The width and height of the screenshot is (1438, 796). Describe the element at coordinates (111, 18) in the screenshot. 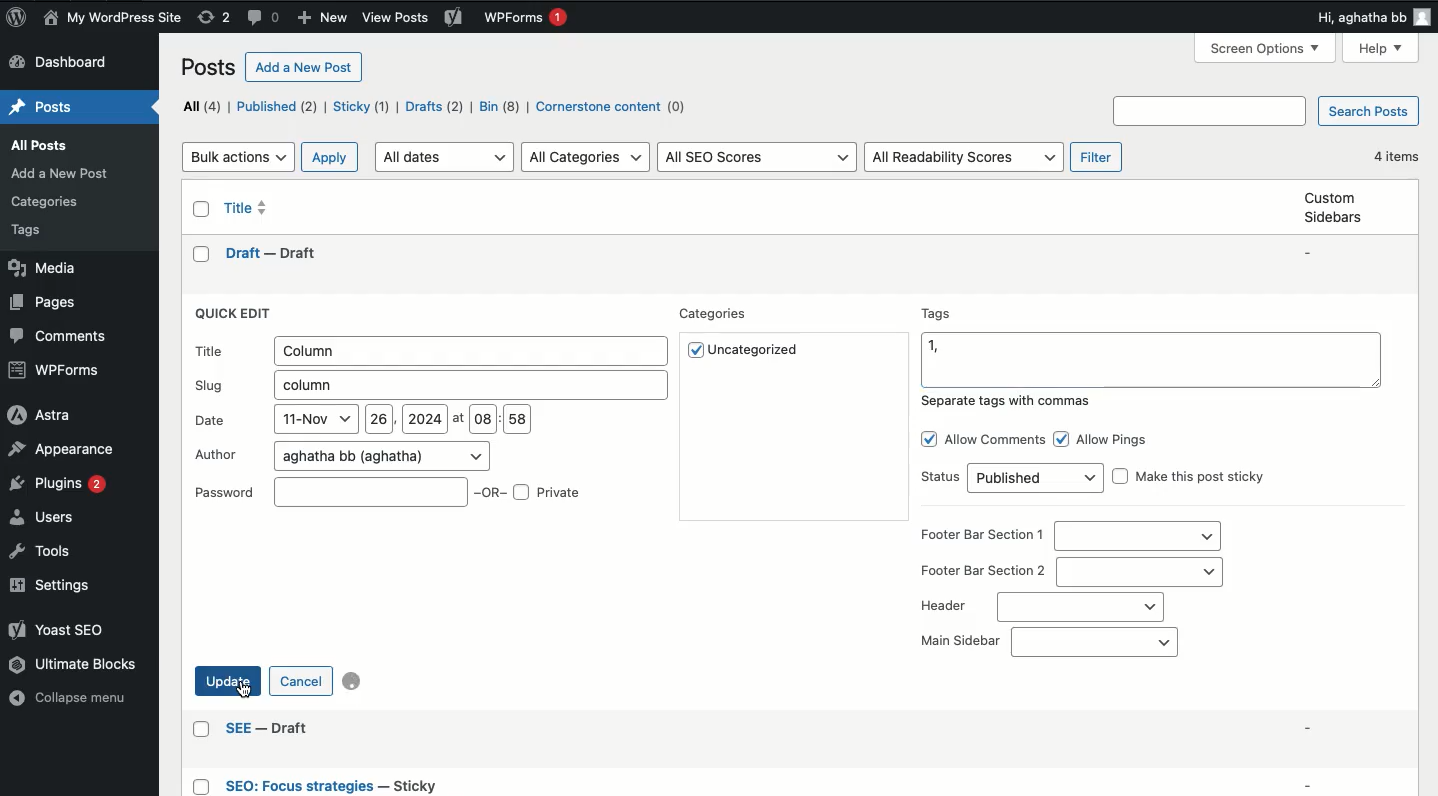

I see `Name` at that location.